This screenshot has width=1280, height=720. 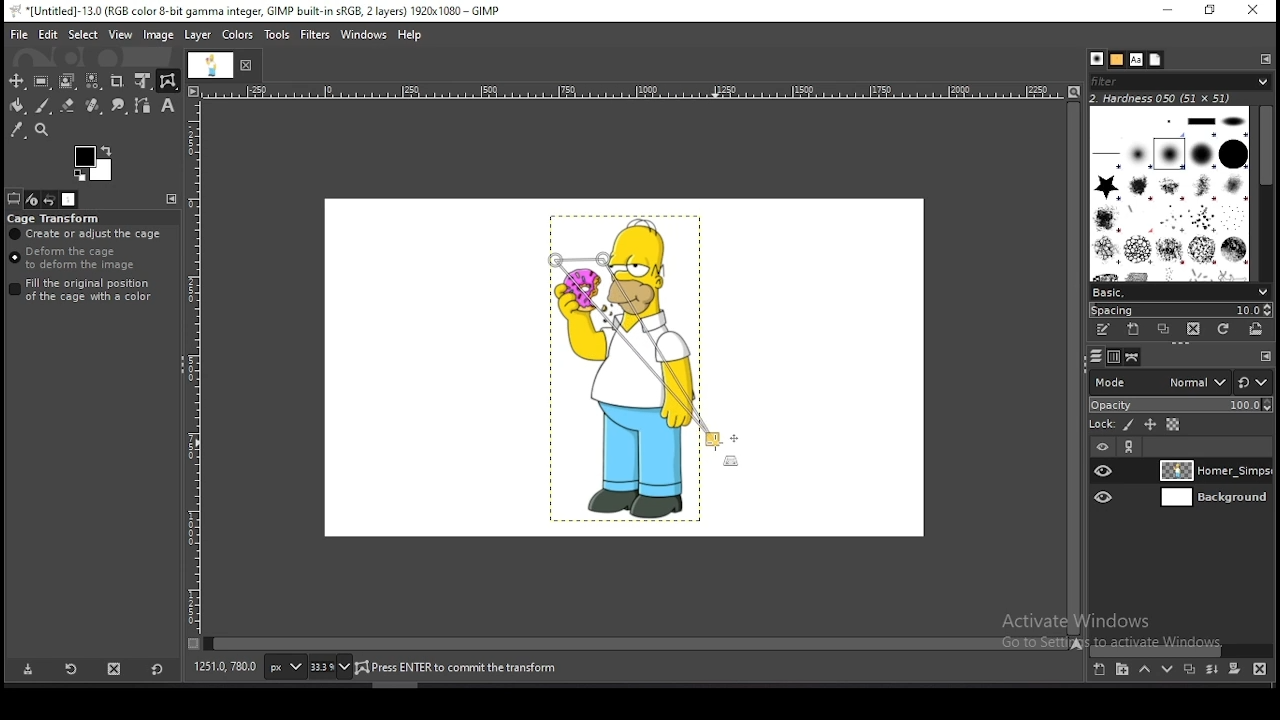 I want to click on colors, so click(x=237, y=35).